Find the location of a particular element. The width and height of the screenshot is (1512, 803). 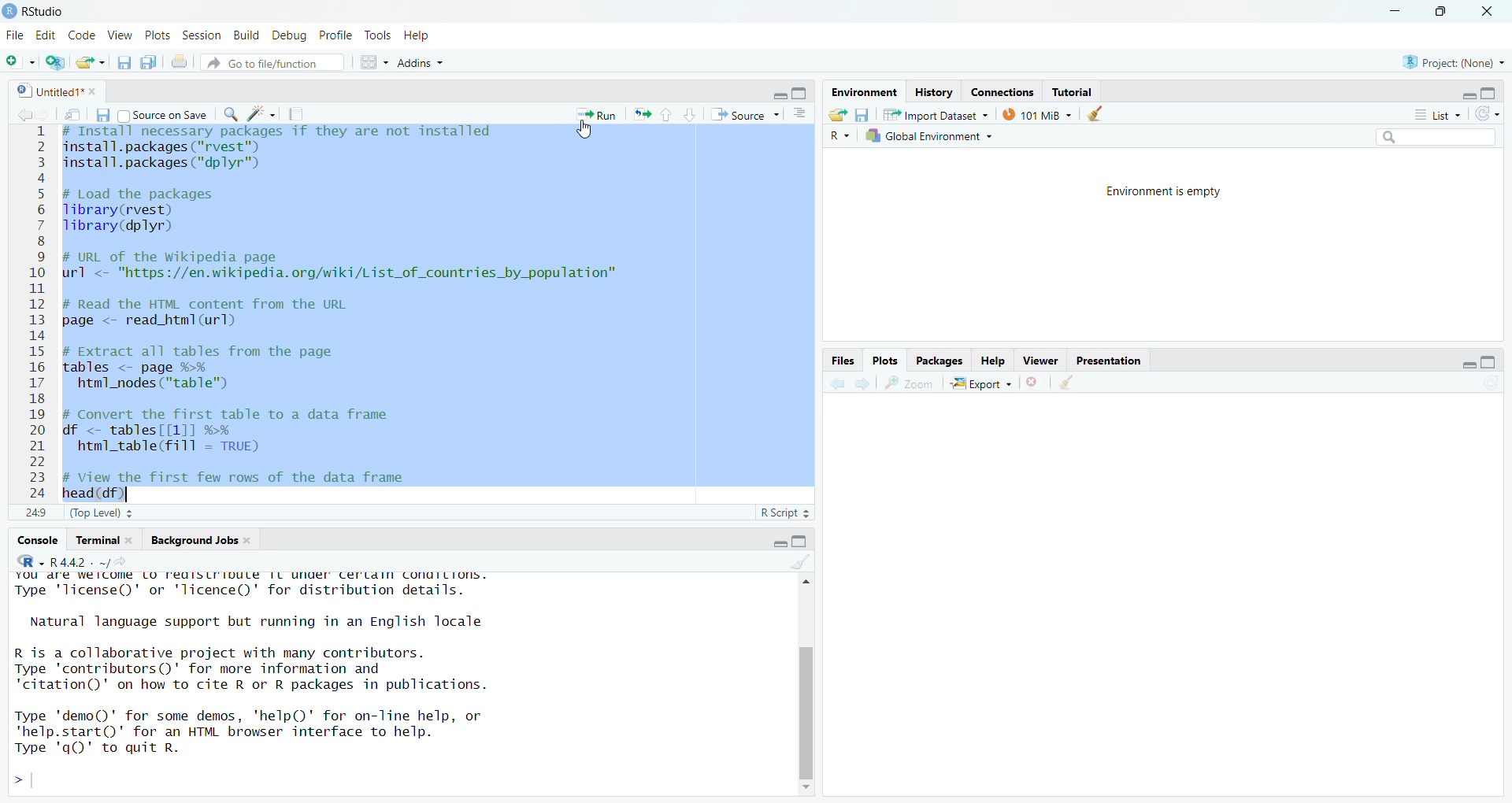

Project(None) is located at coordinates (1455, 63).